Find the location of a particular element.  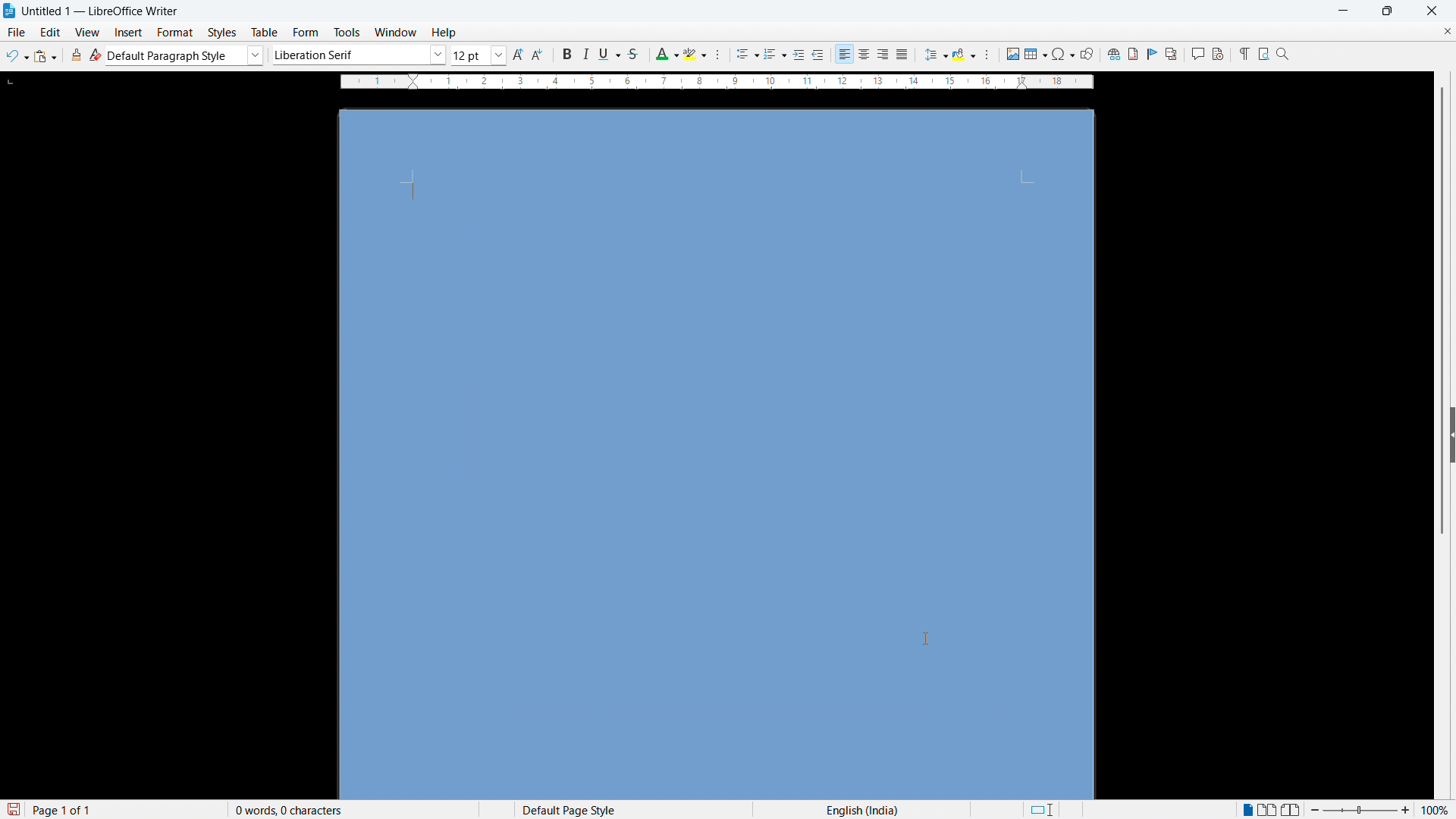

Close  is located at coordinates (1431, 11).